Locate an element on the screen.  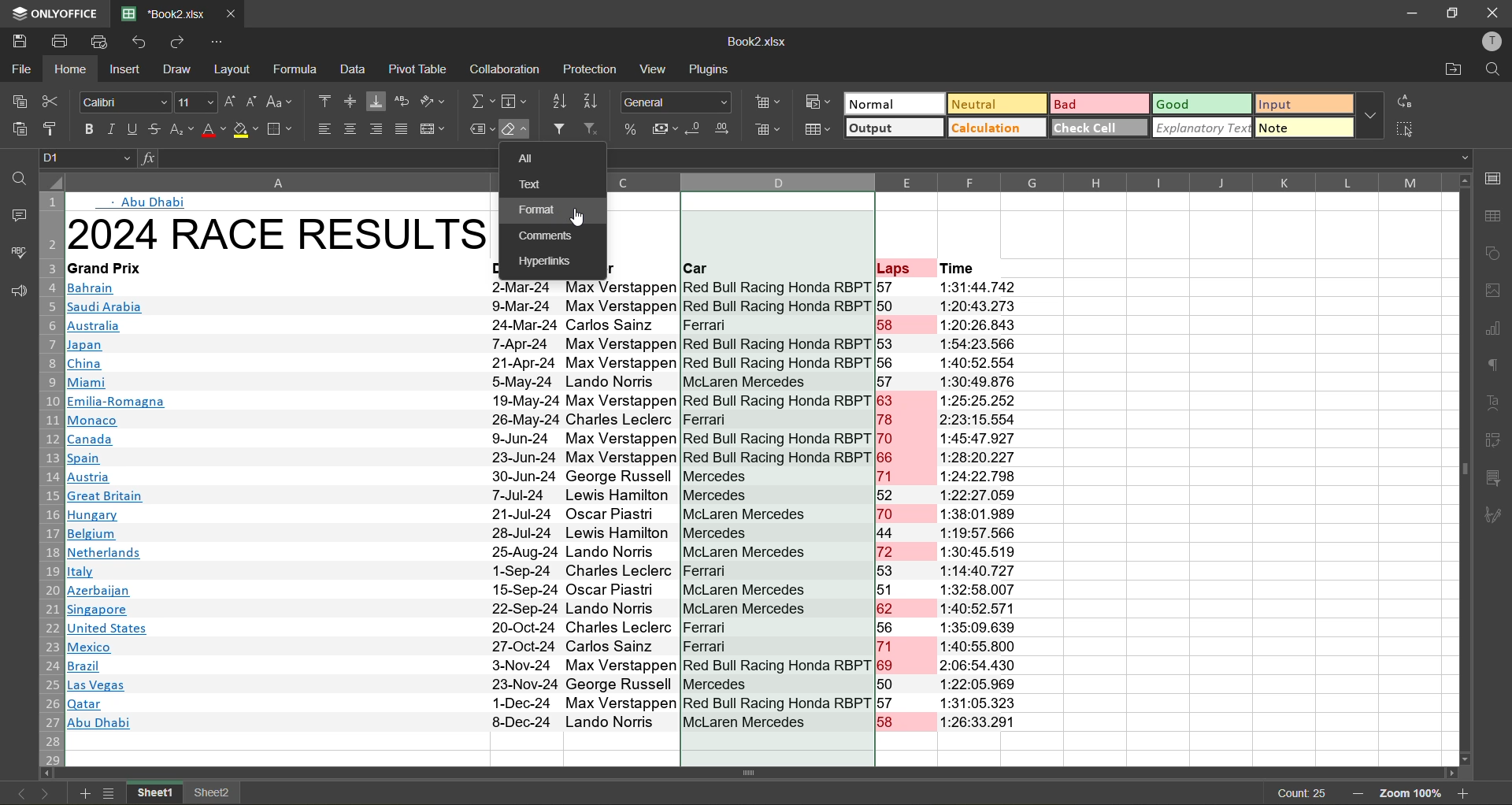
justified is located at coordinates (402, 129).